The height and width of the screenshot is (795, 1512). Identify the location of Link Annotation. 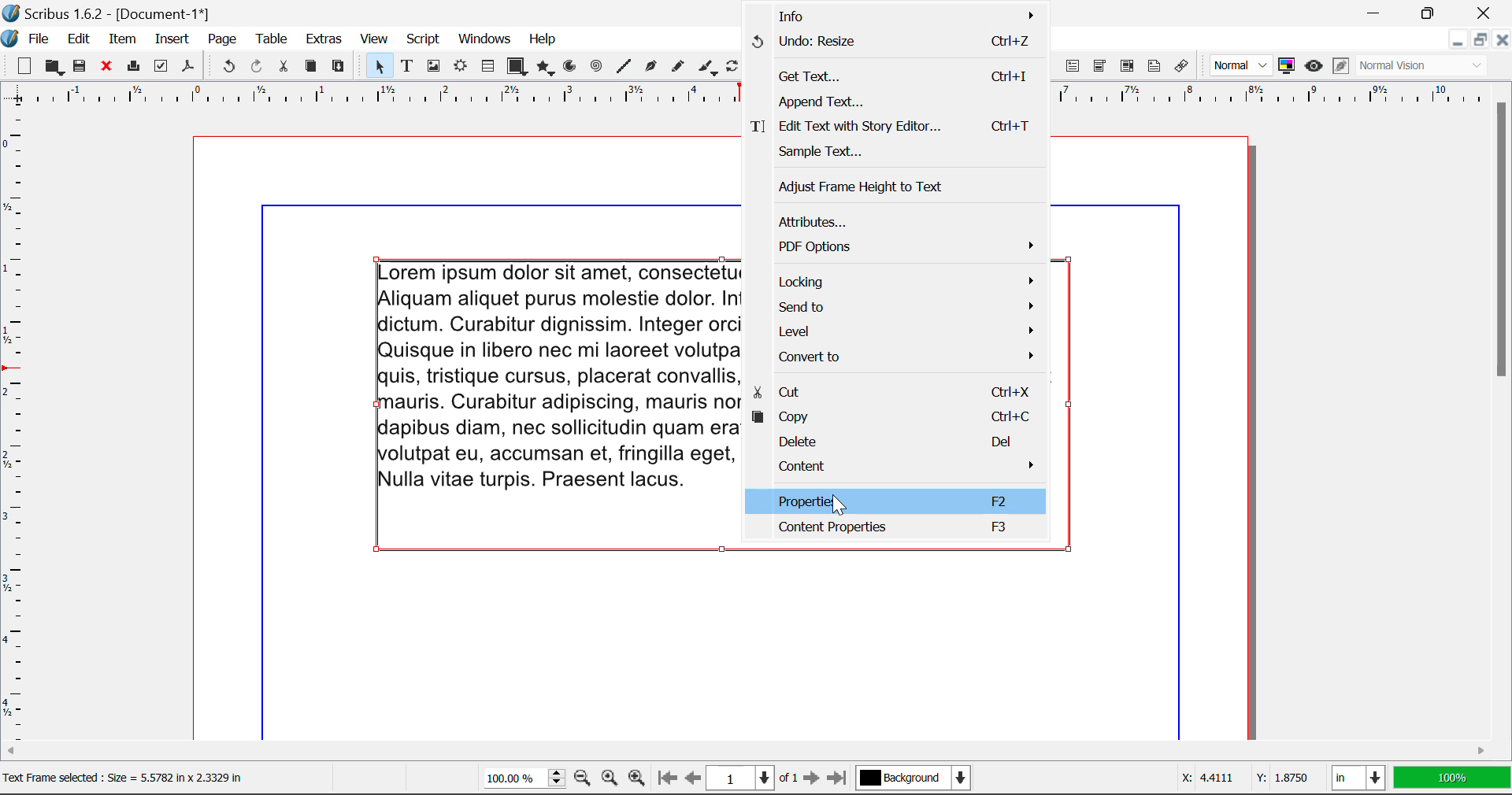
(1185, 67).